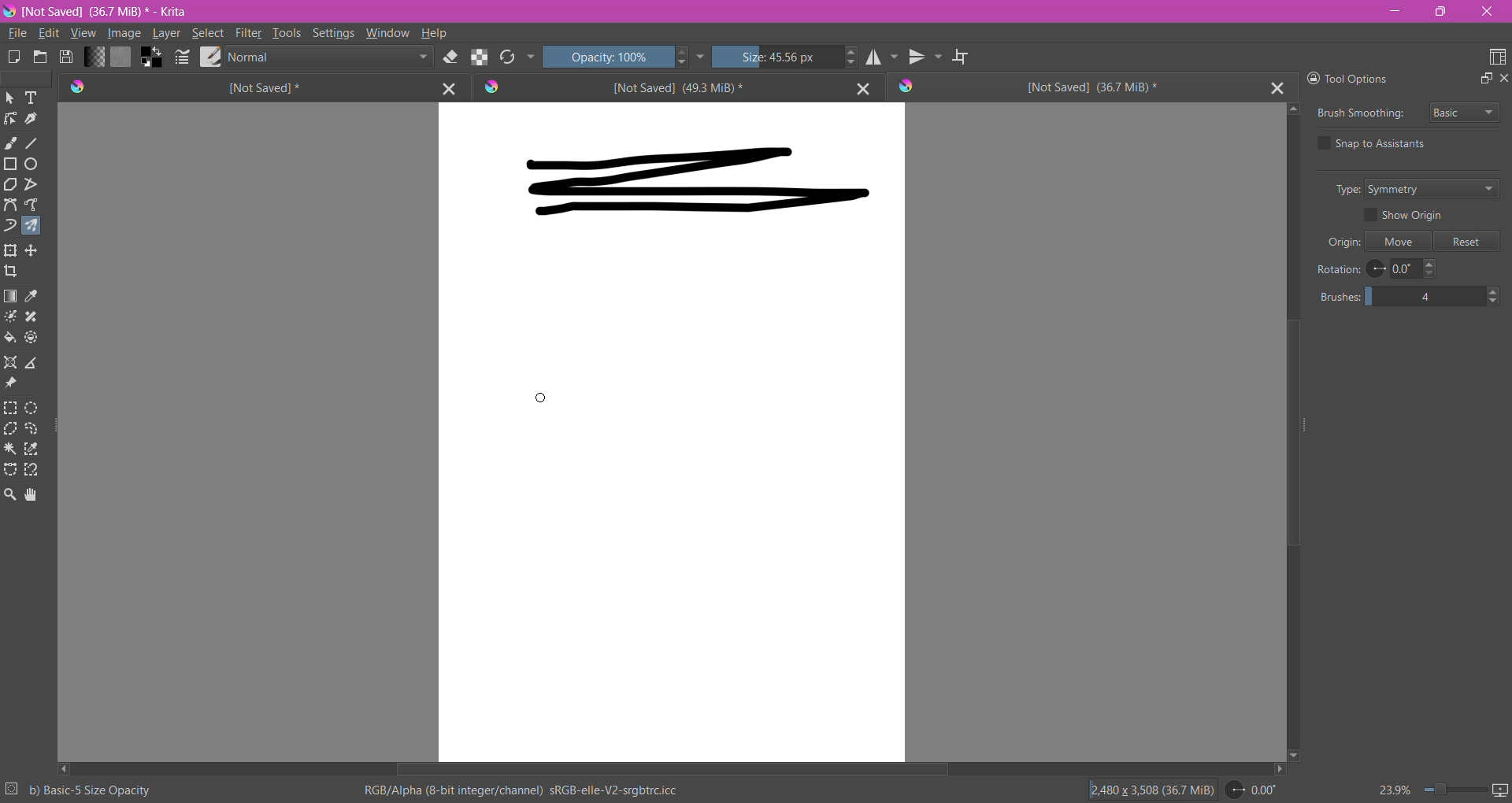 This screenshot has width=1512, height=803. I want to click on Restore Down, so click(1443, 12).